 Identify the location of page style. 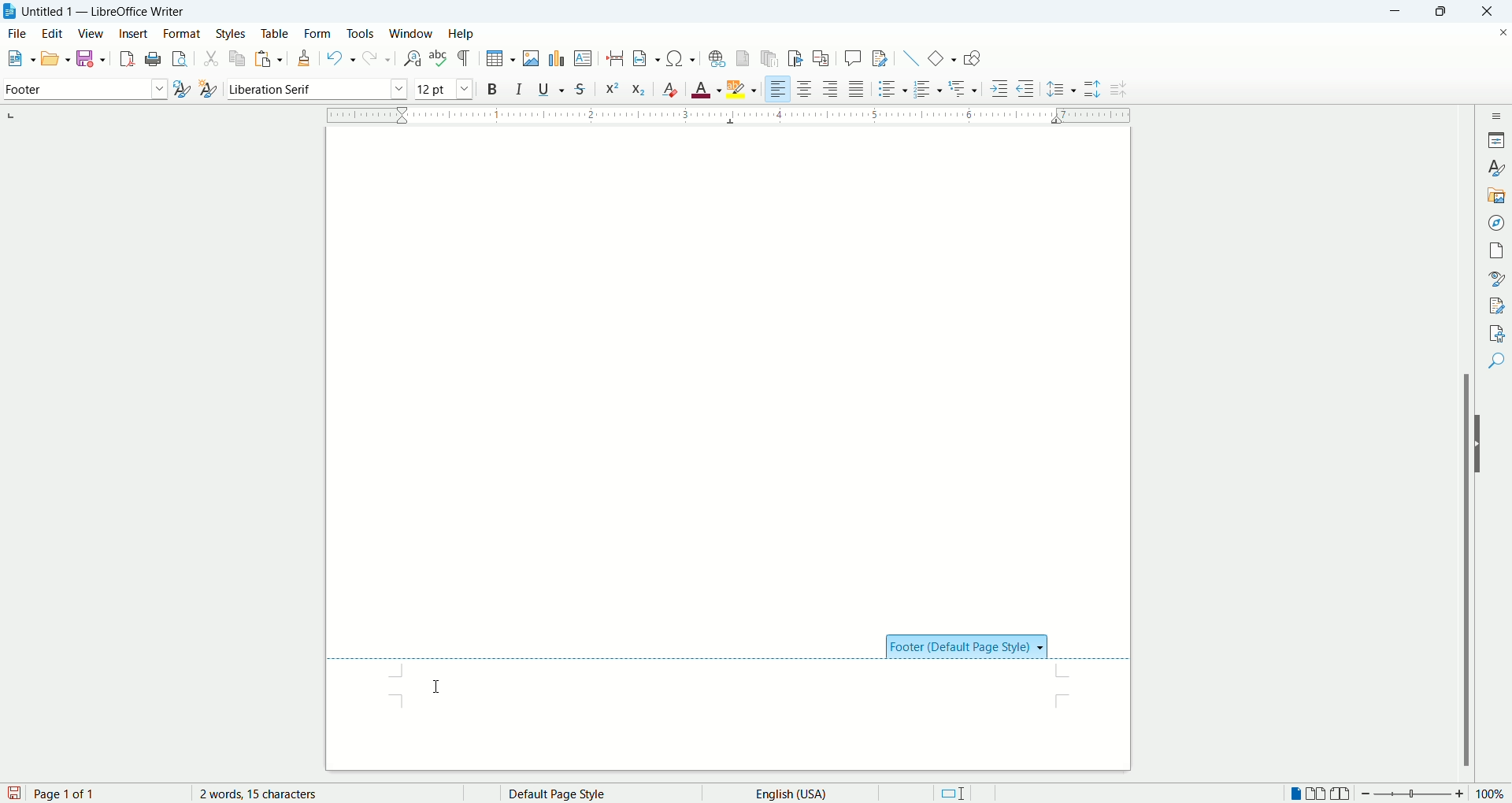
(587, 794).